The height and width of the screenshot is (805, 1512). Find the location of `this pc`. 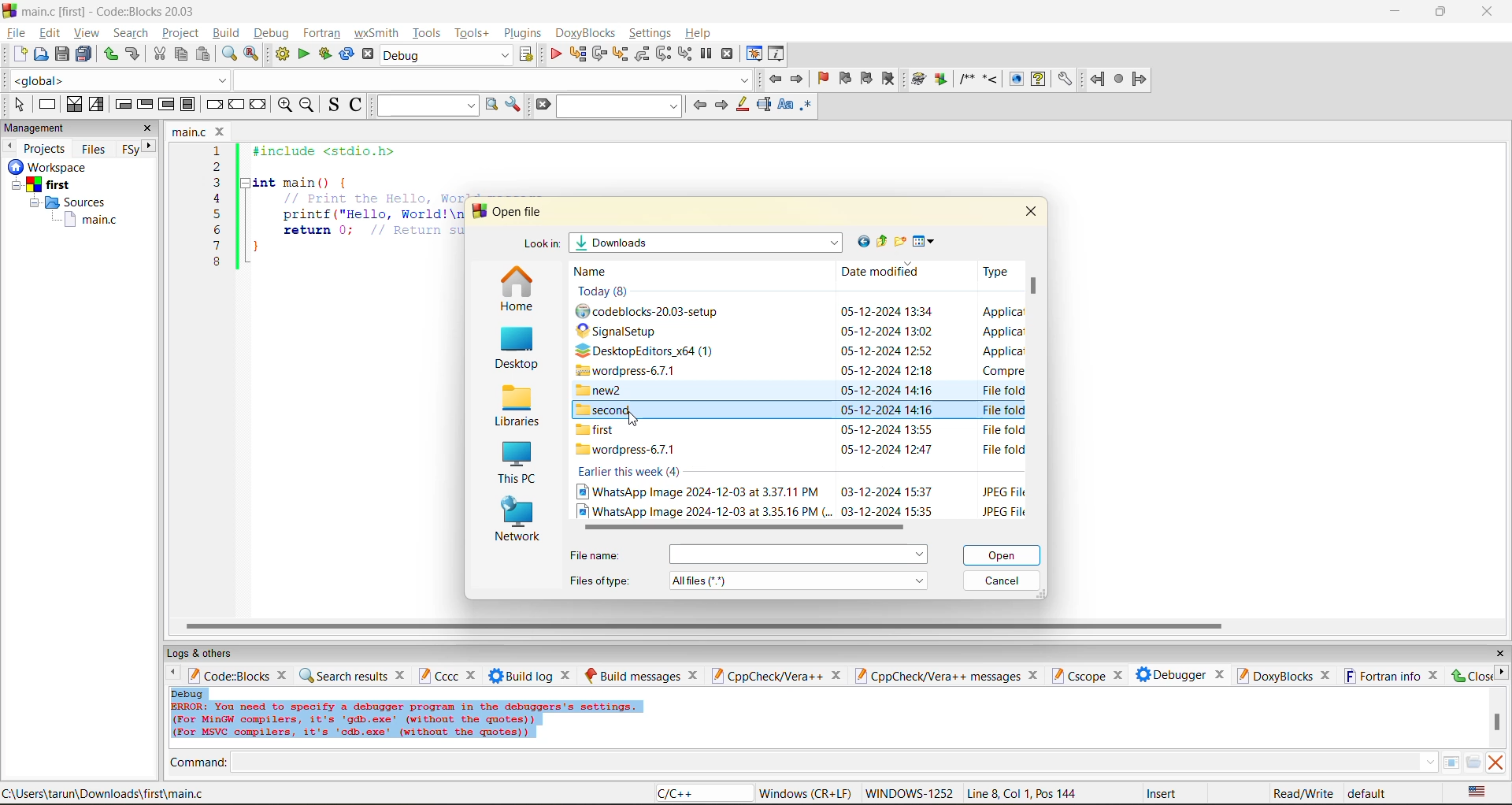

this pc is located at coordinates (515, 465).